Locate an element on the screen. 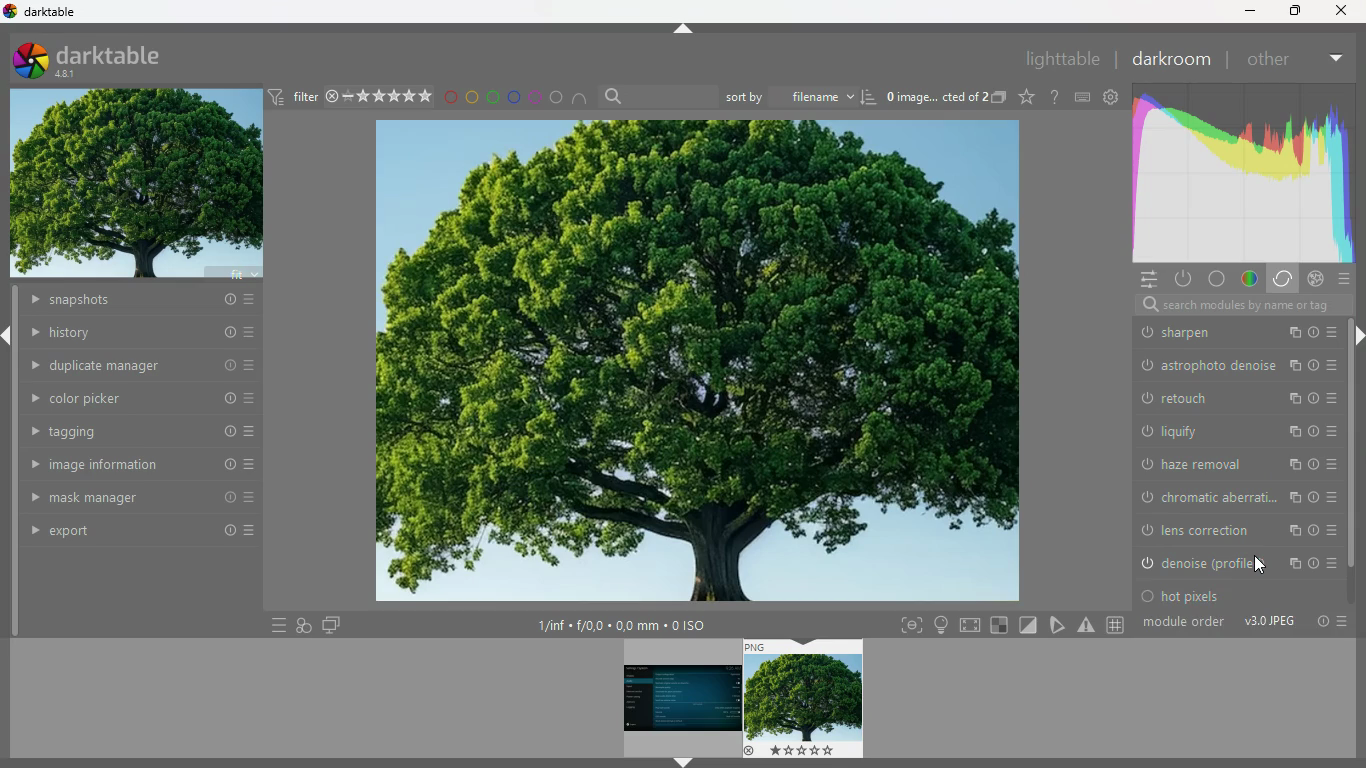 This screenshot has width=1366, height=768. image is located at coordinates (140, 185).